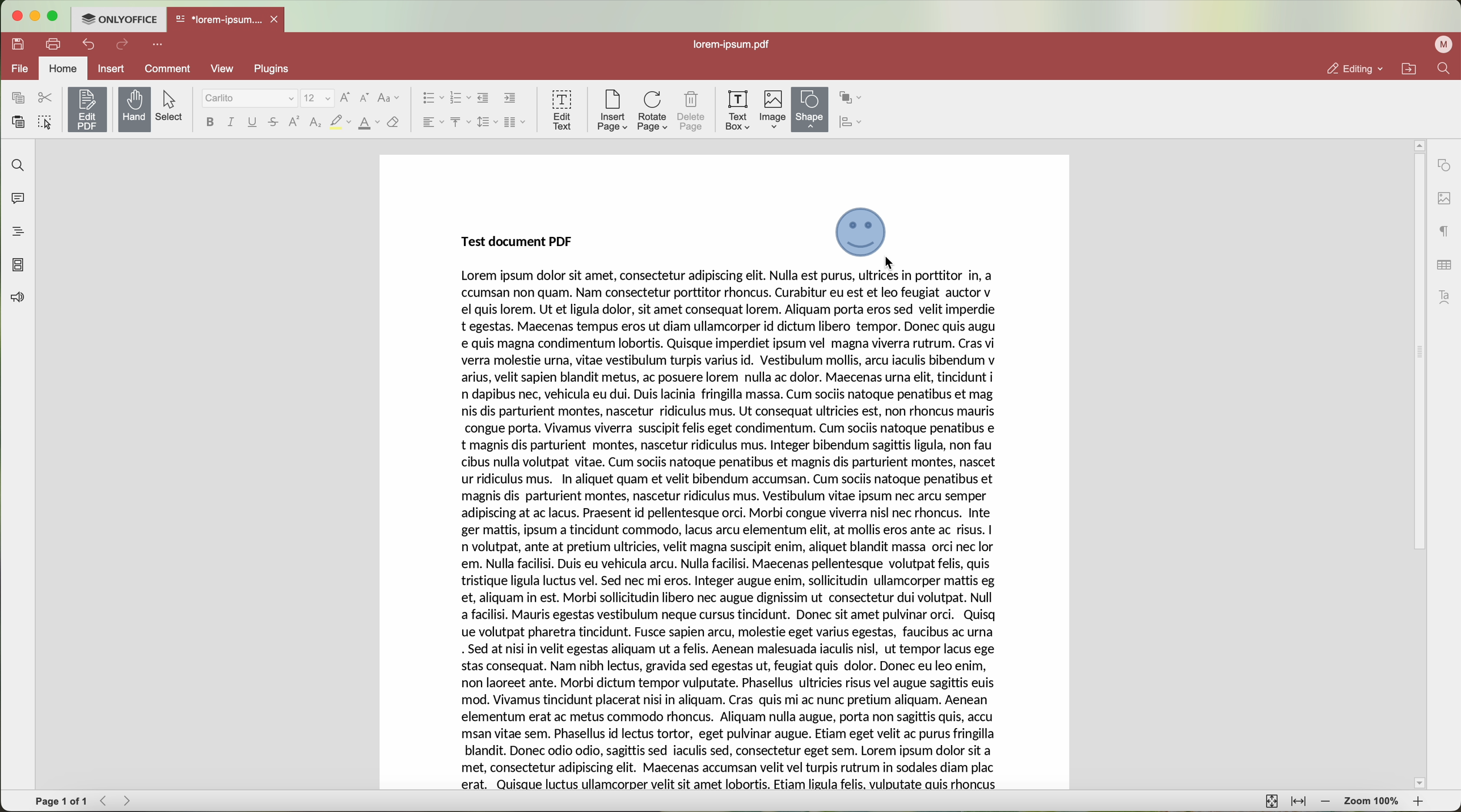 This screenshot has width=1461, height=812. Describe the element at coordinates (18, 298) in the screenshot. I see `feedback and support` at that location.